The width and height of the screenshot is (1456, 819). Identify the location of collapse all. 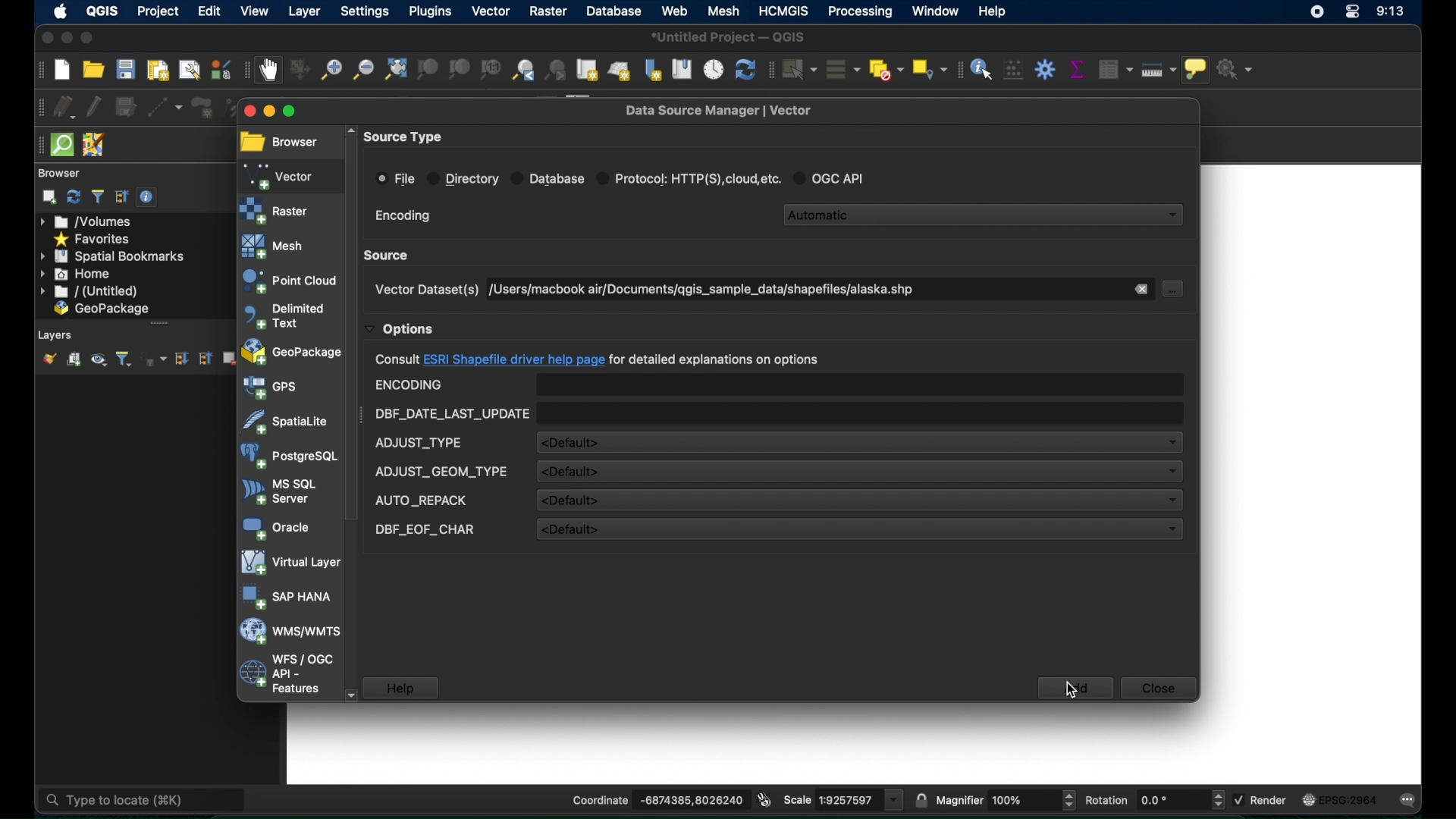
(122, 197).